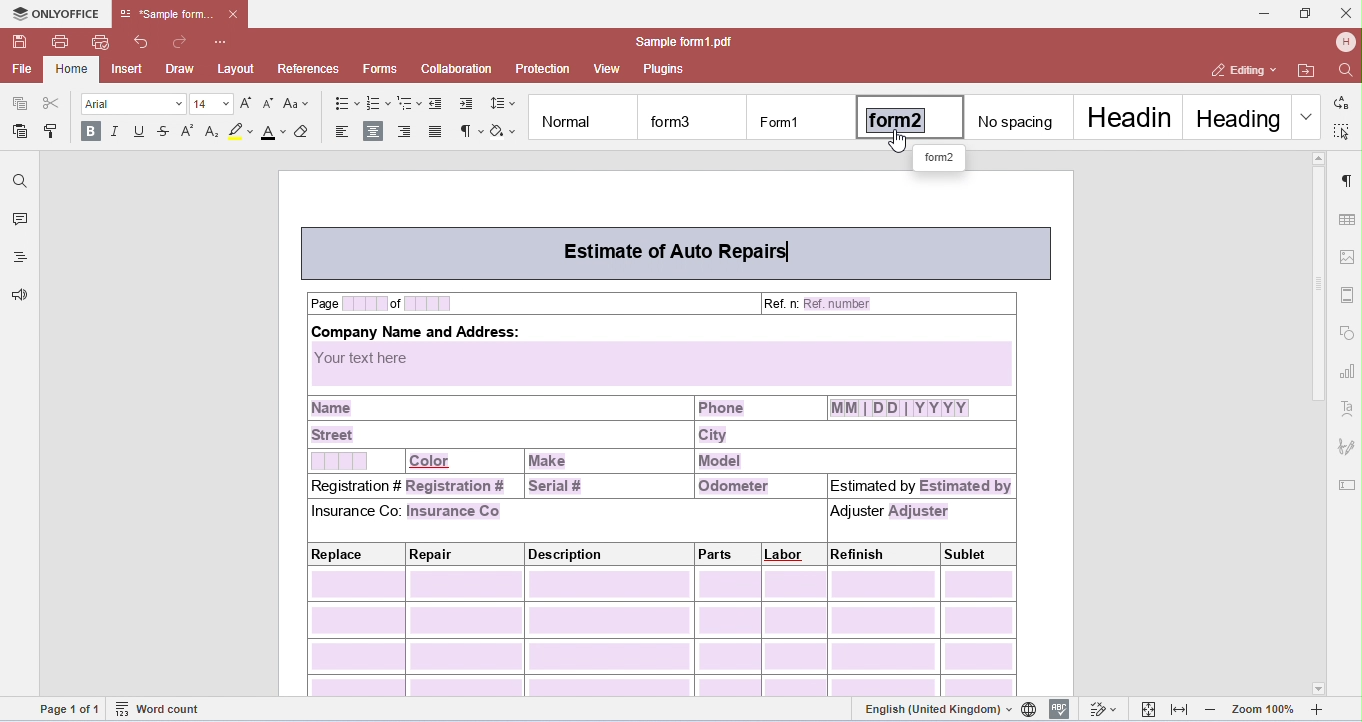 The height and width of the screenshot is (722, 1362). I want to click on draw, so click(180, 69).